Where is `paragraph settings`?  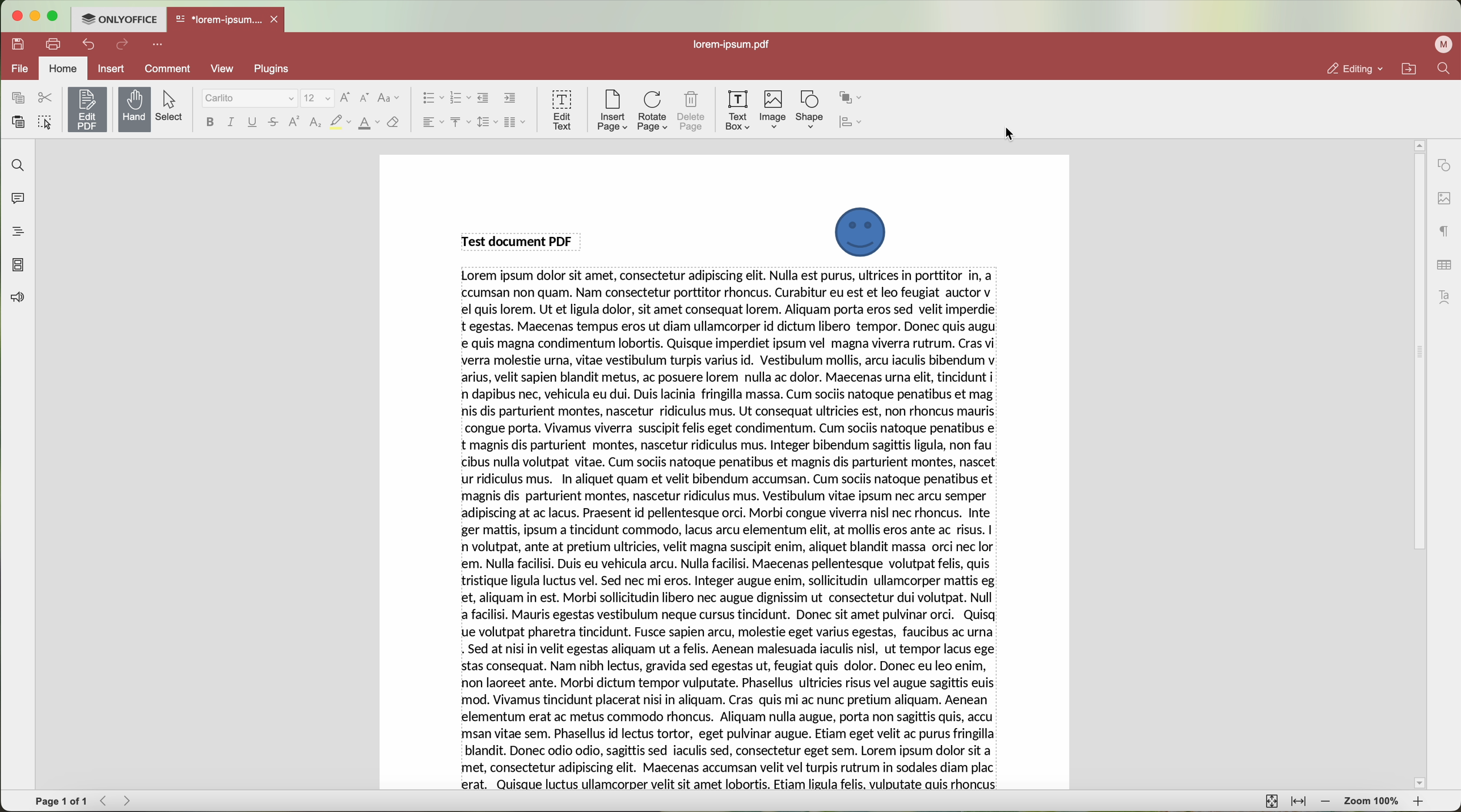 paragraph settings is located at coordinates (1441, 232).